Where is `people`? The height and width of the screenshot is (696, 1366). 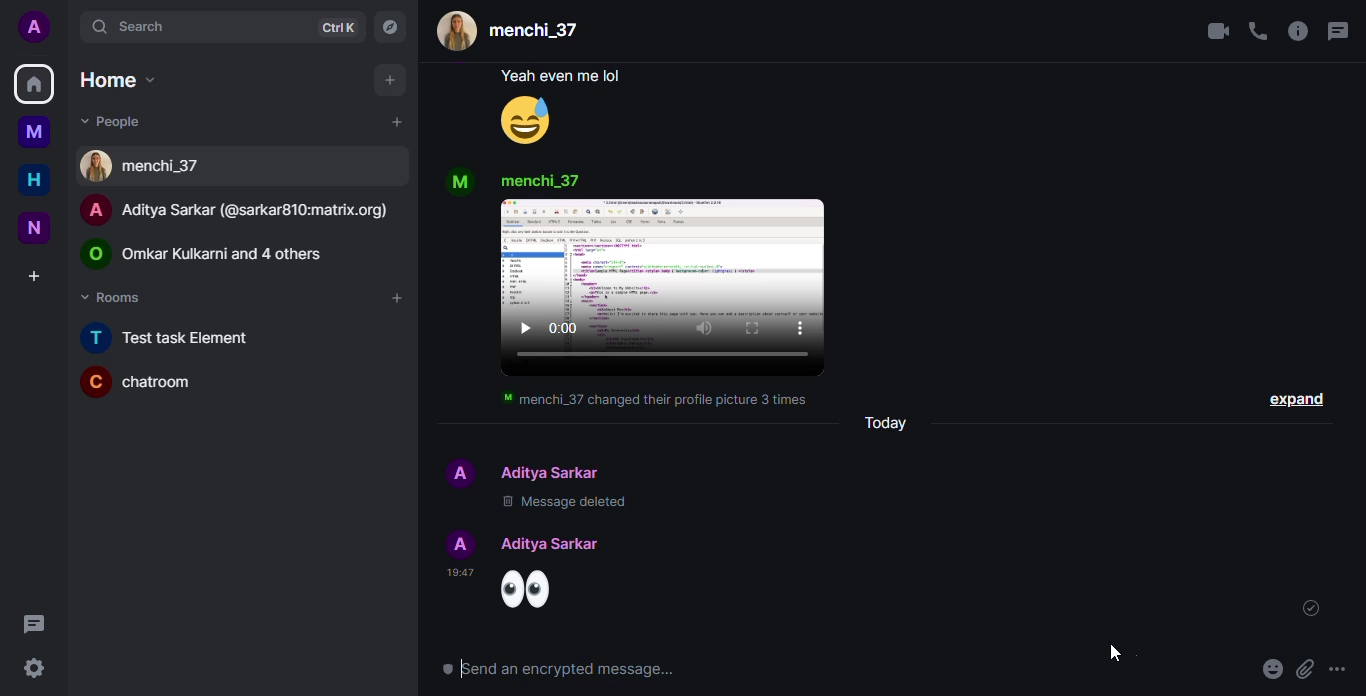 people is located at coordinates (514, 31).